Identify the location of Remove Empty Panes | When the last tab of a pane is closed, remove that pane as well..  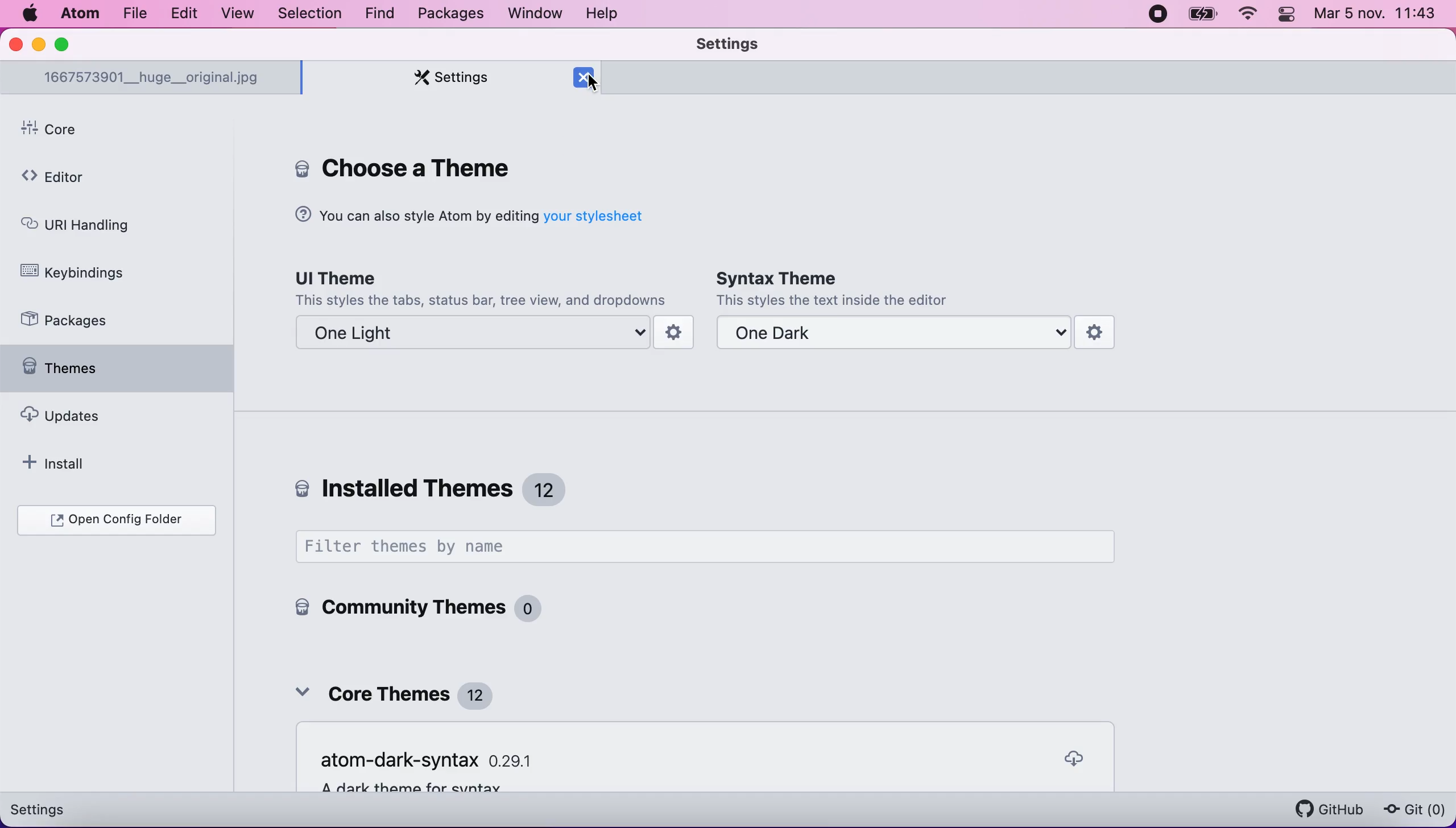
(696, 744).